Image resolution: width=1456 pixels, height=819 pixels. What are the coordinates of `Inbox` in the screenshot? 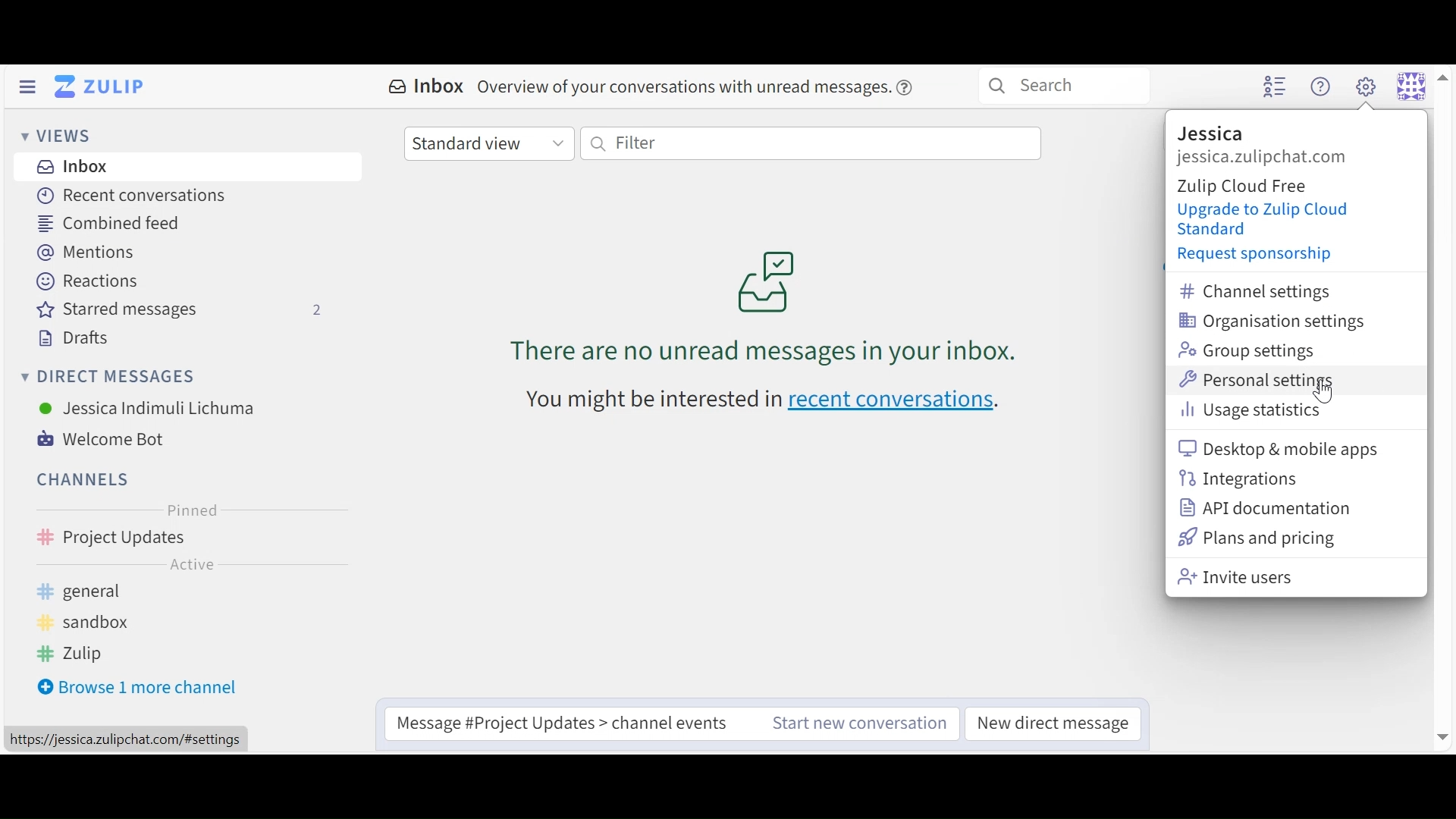 It's located at (427, 85).